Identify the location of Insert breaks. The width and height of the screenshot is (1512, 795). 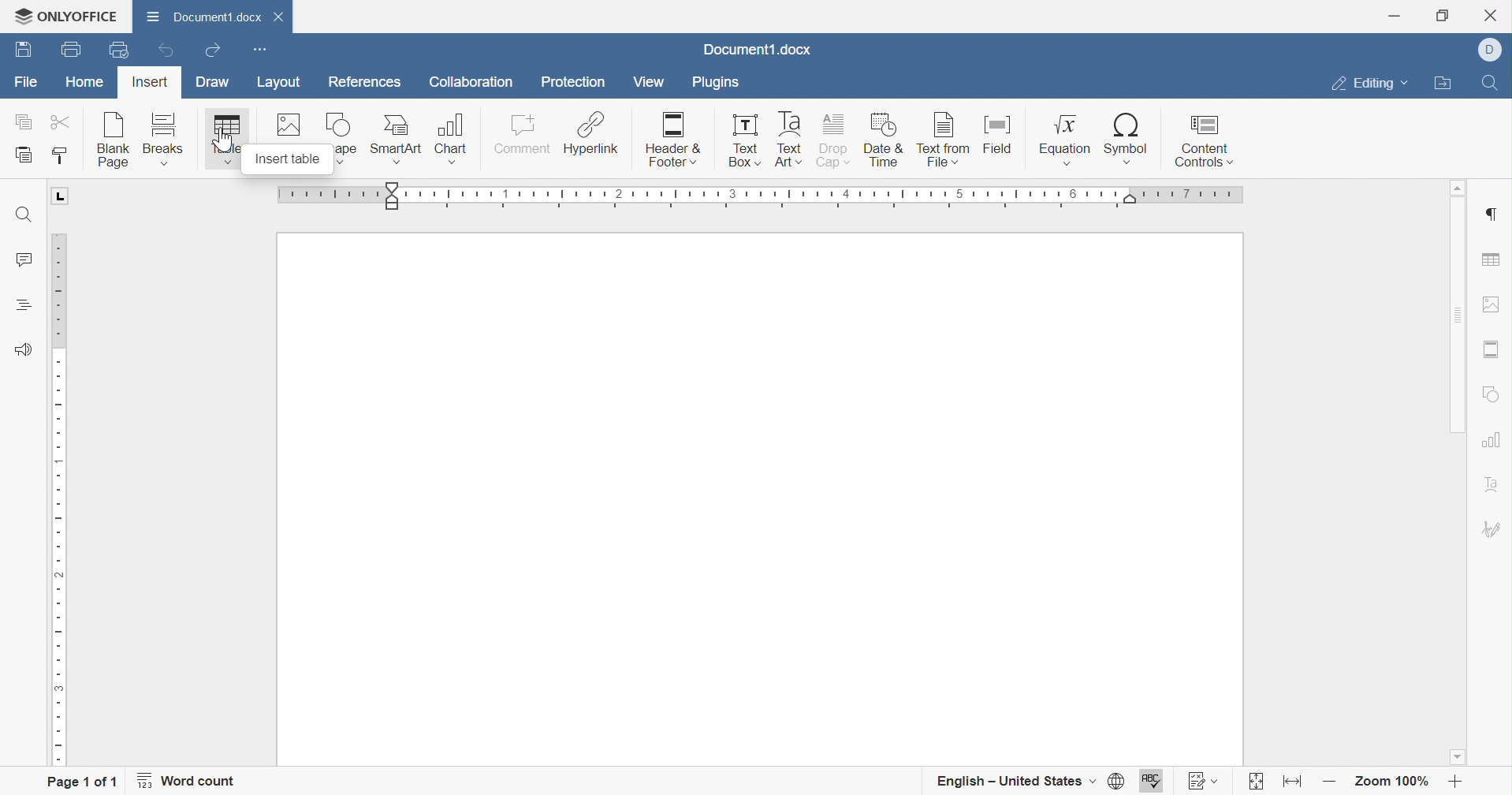
(162, 140).